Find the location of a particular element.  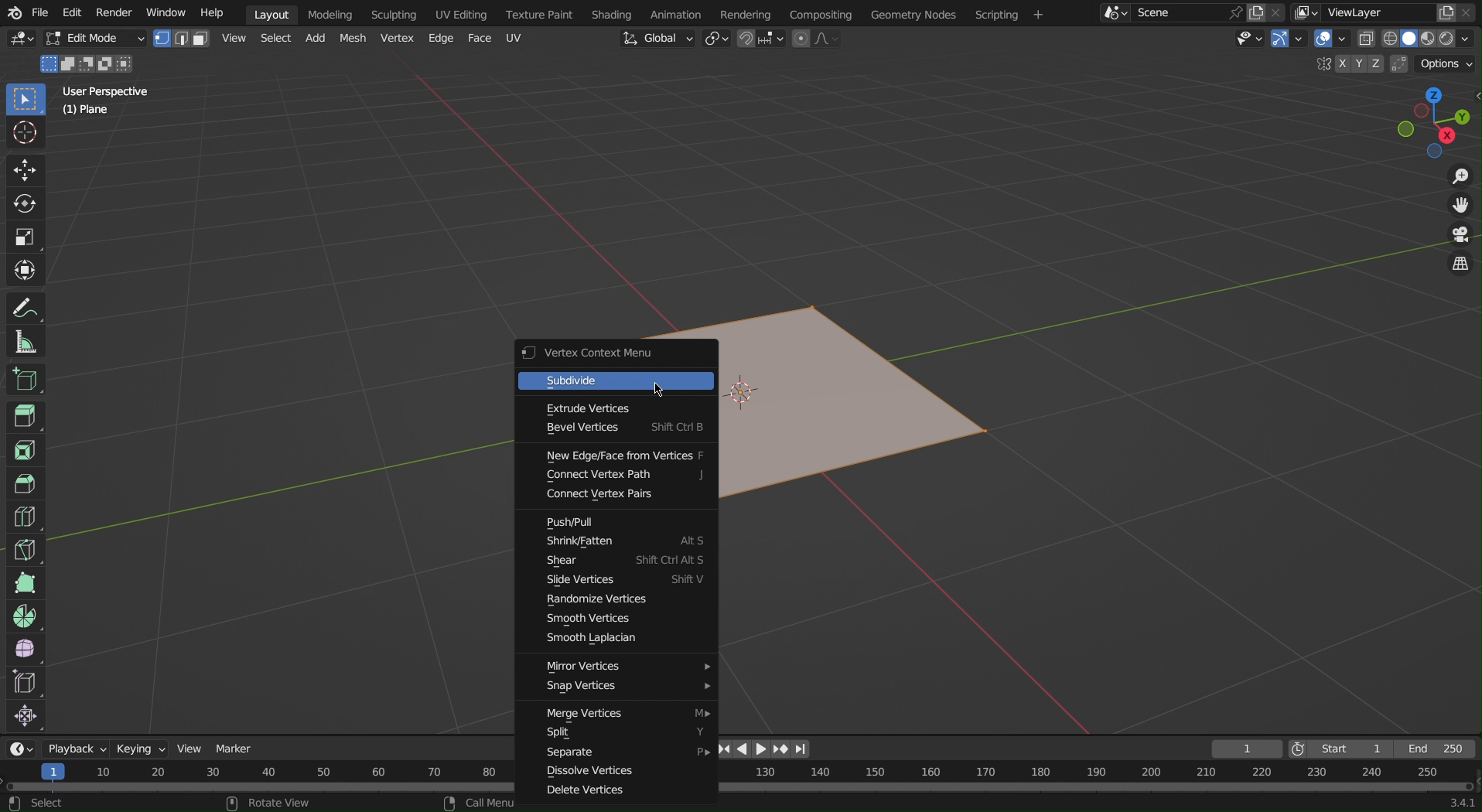

Shrink/Fatten is located at coordinates (623, 541).